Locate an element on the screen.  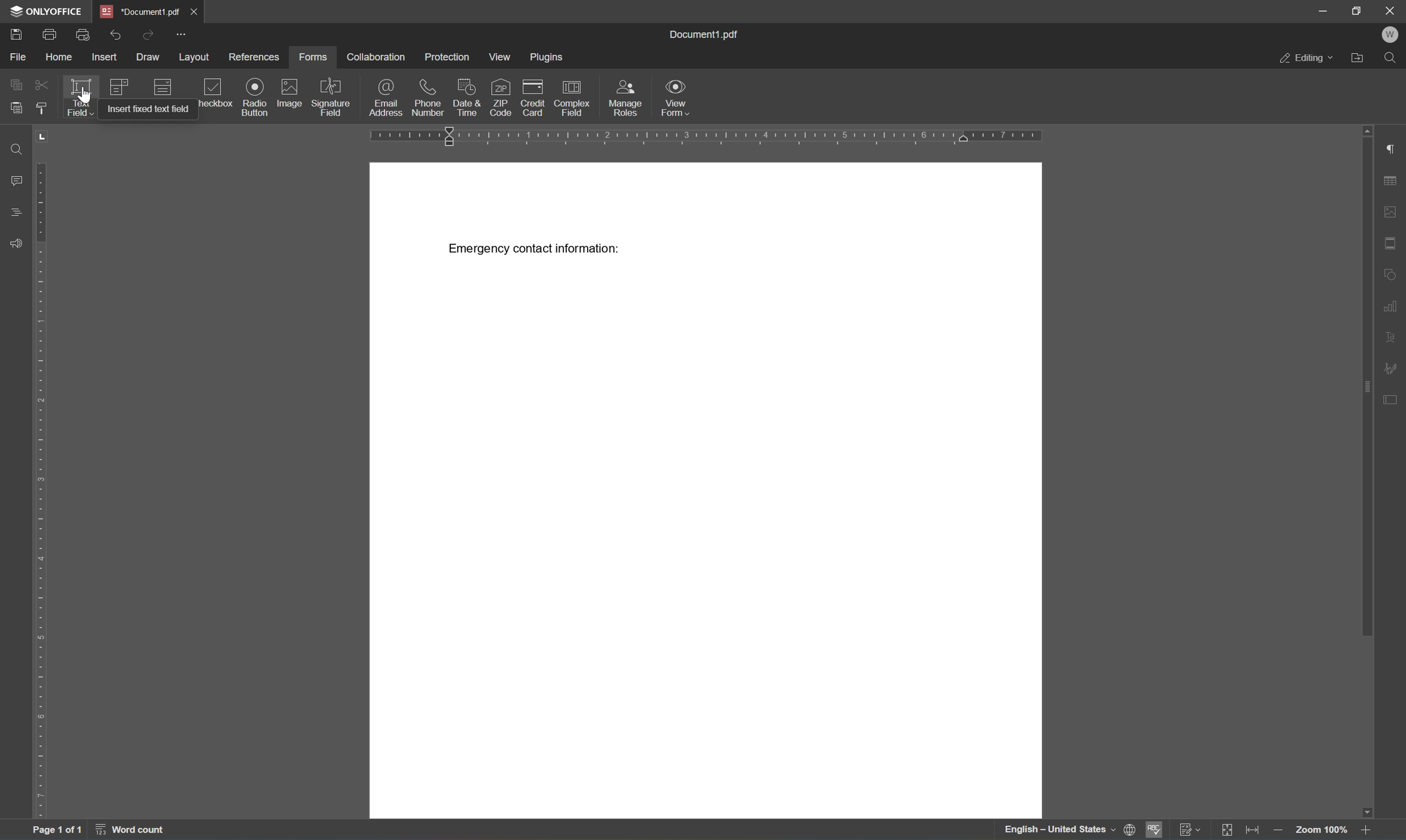
copy is located at coordinates (16, 84).